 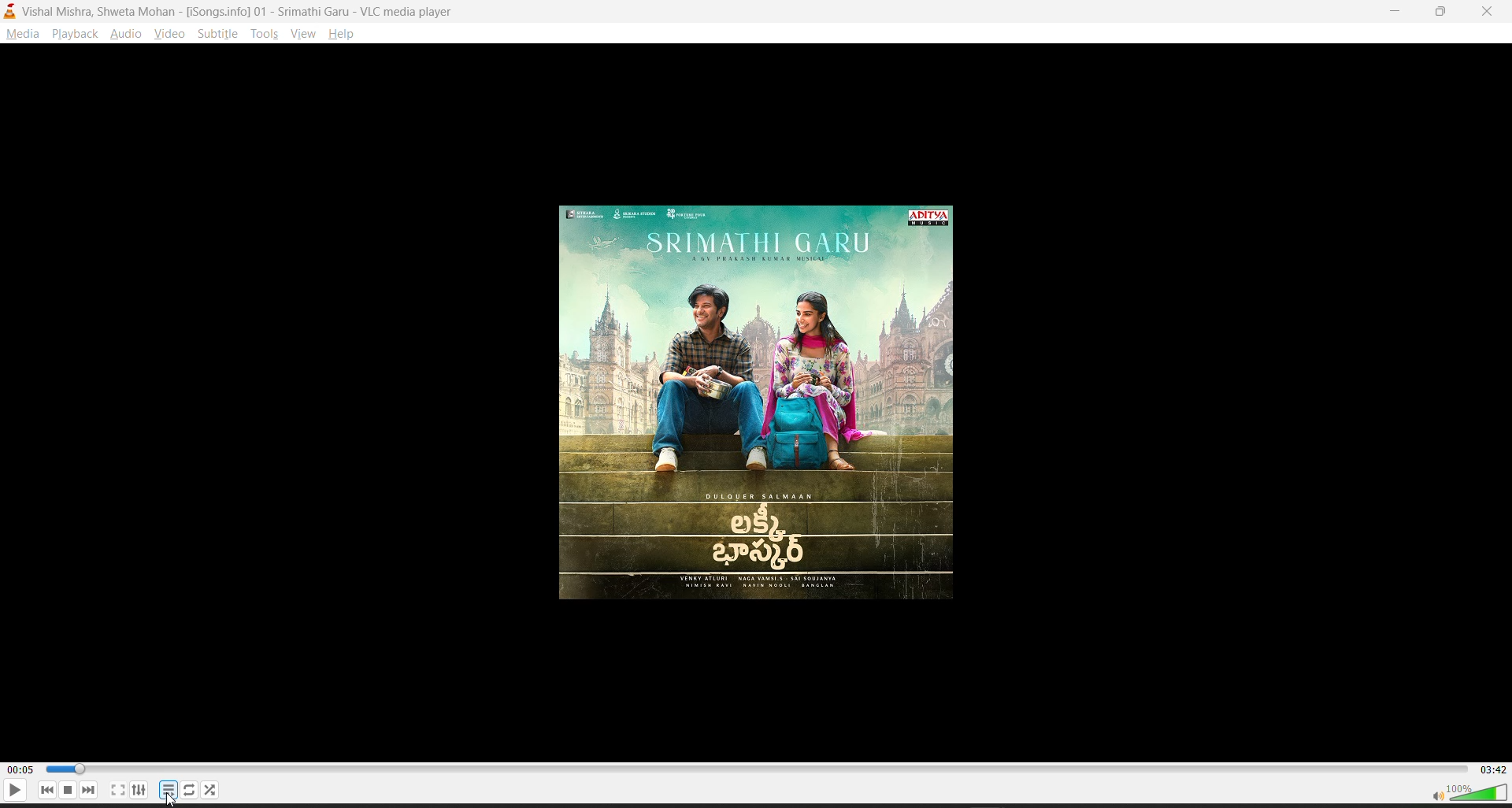 What do you see at coordinates (218, 33) in the screenshot?
I see `subtitle` at bounding box center [218, 33].